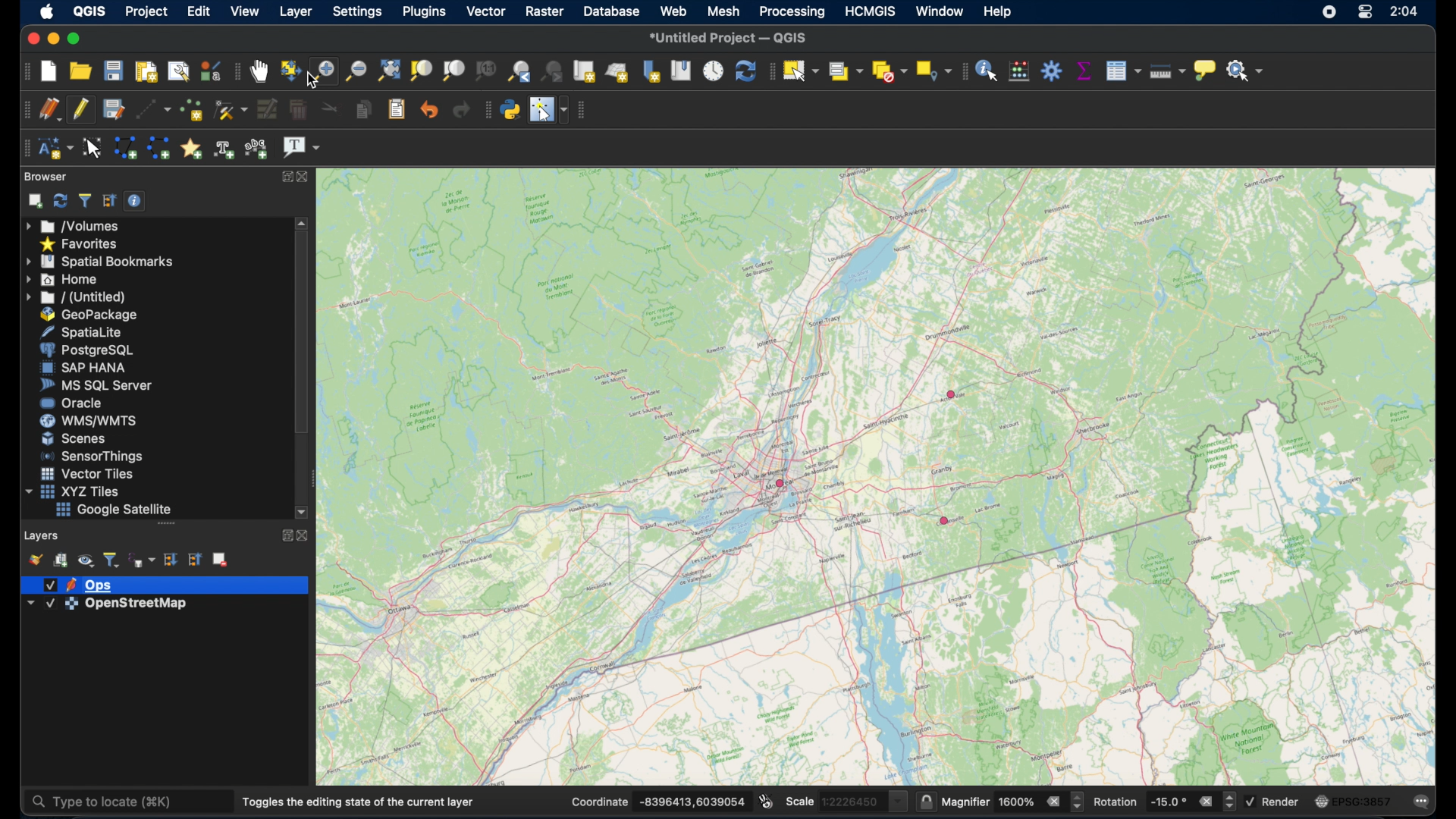 This screenshot has width=1456, height=819. What do you see at coordinates (1275, 800) in the screenshot?
I see `render` at bounding box center [1275, 800].